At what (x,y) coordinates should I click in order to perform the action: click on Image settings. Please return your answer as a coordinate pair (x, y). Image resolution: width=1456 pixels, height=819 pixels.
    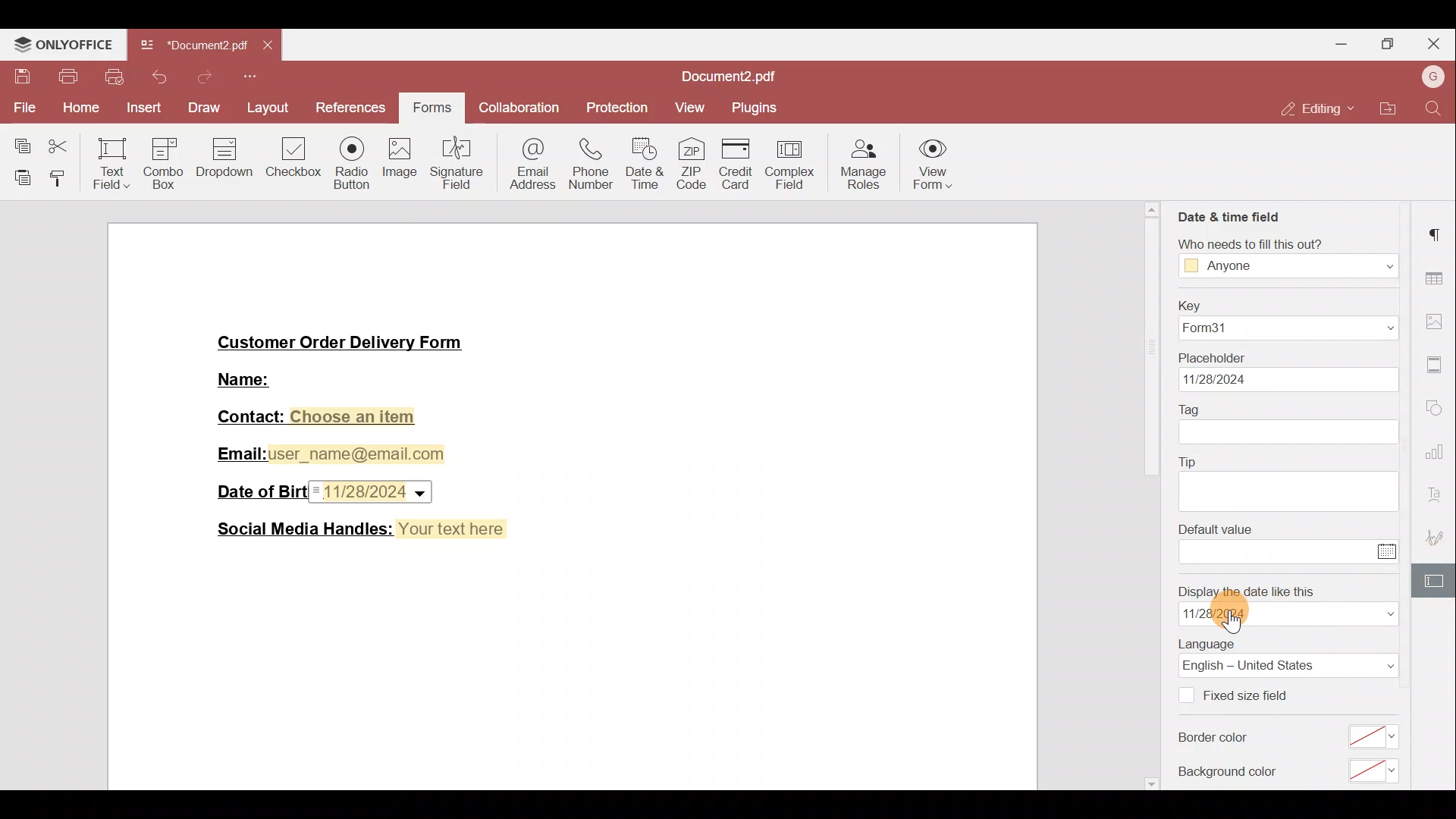
    Looking at the image, I should click on (1438, 324).